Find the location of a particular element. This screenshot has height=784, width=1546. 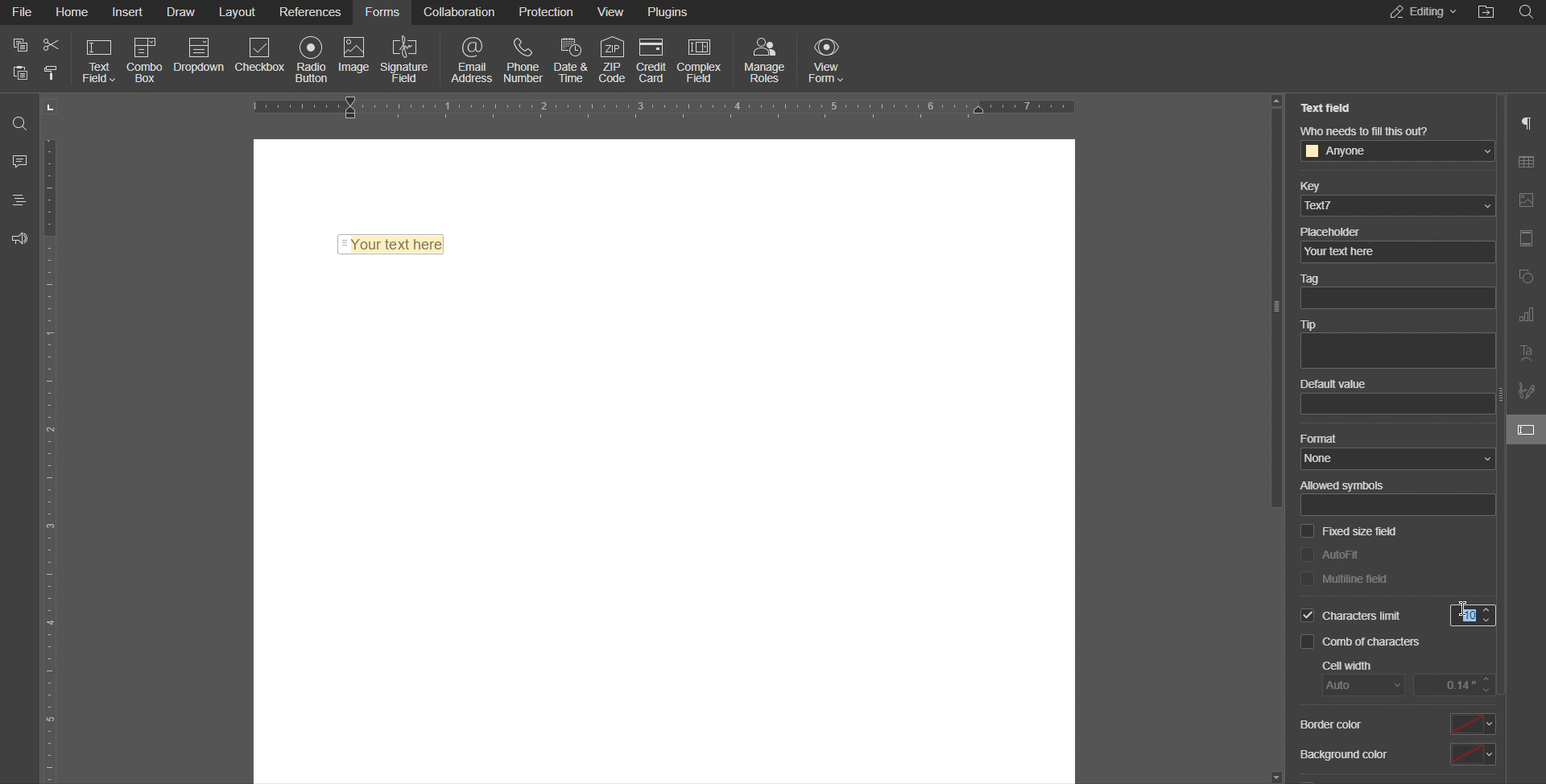

Combo Box is located at coordinates (145, 58).